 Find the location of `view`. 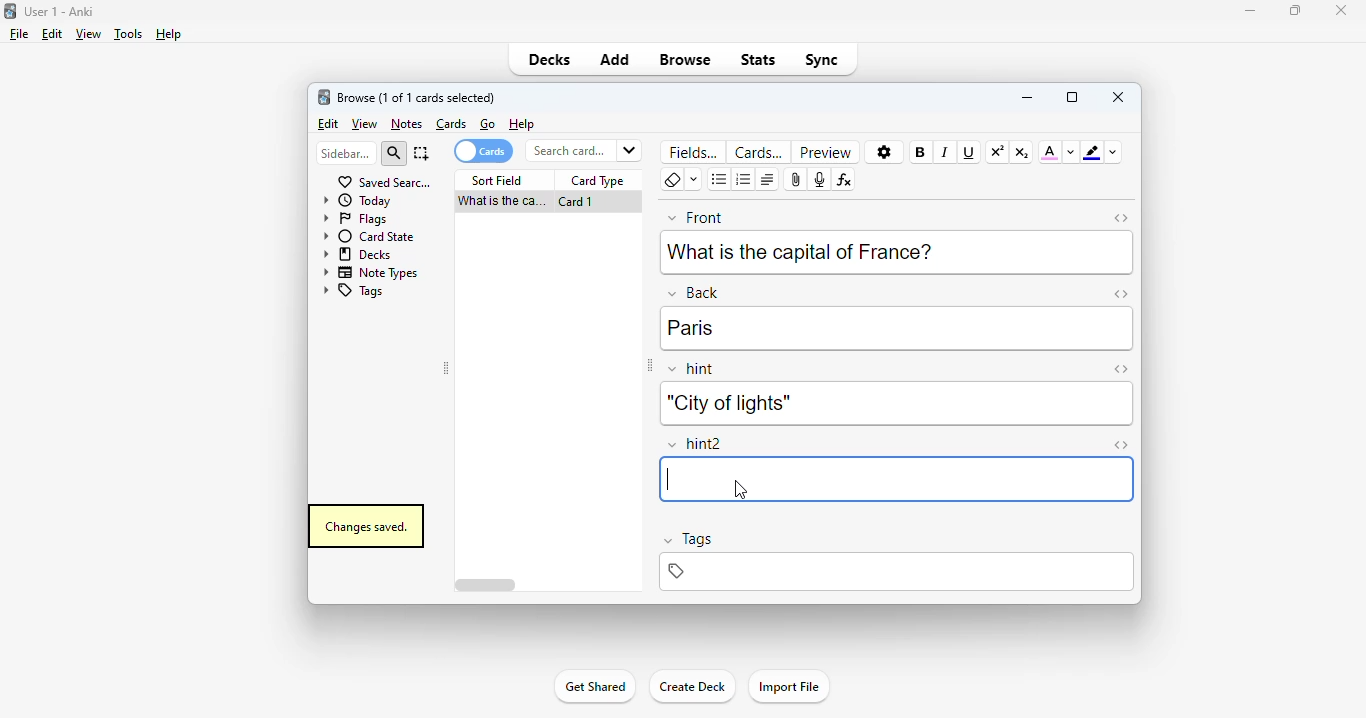

view is located at coordinates (365, 125).